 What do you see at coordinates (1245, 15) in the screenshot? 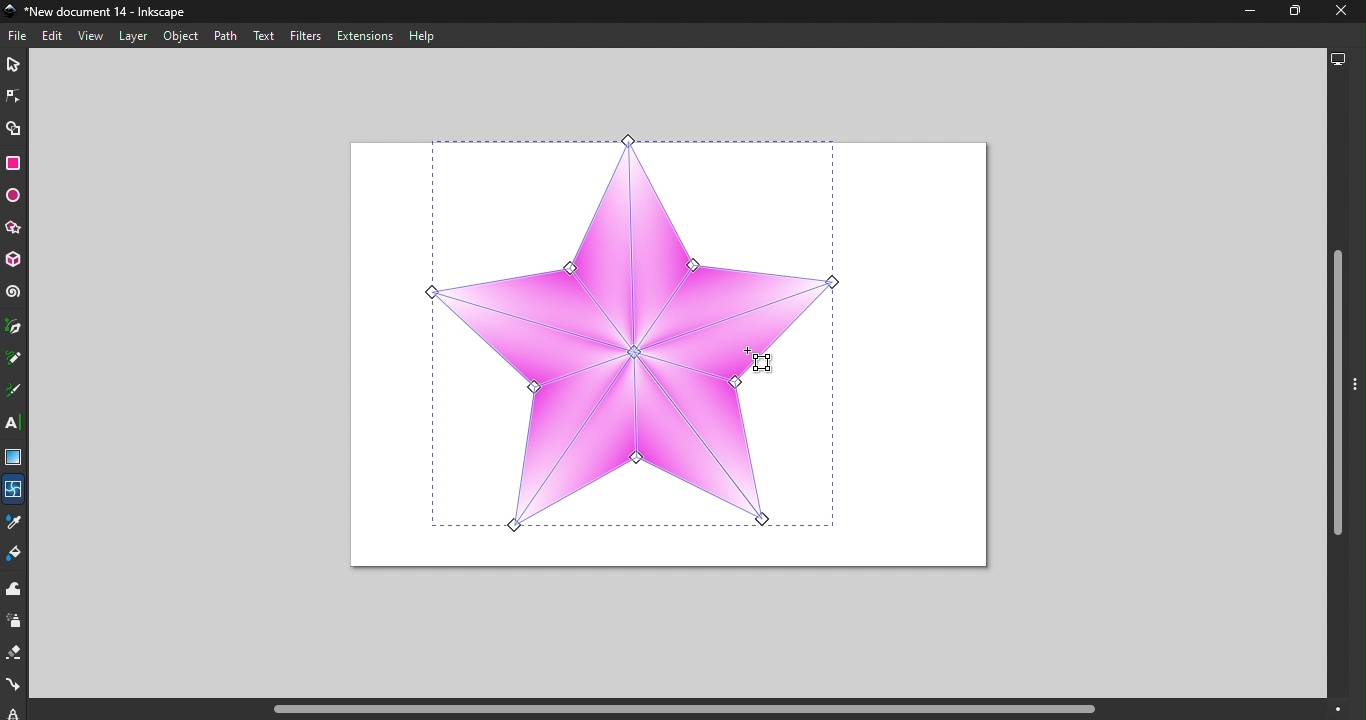
I see `Minimize` at bounding box center [1245, 15].